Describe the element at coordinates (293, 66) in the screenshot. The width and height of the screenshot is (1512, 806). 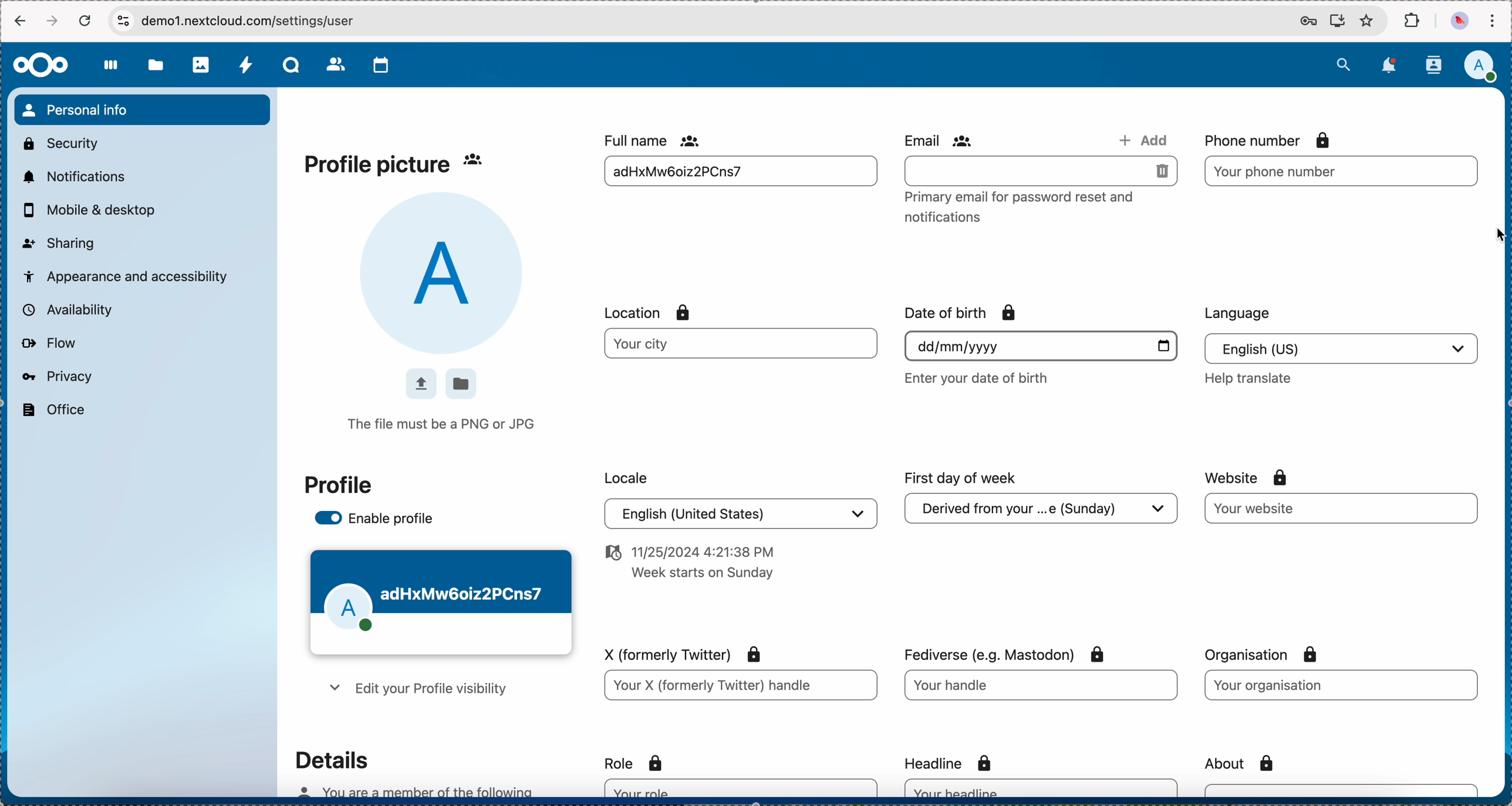
I see `Talk` at that location.